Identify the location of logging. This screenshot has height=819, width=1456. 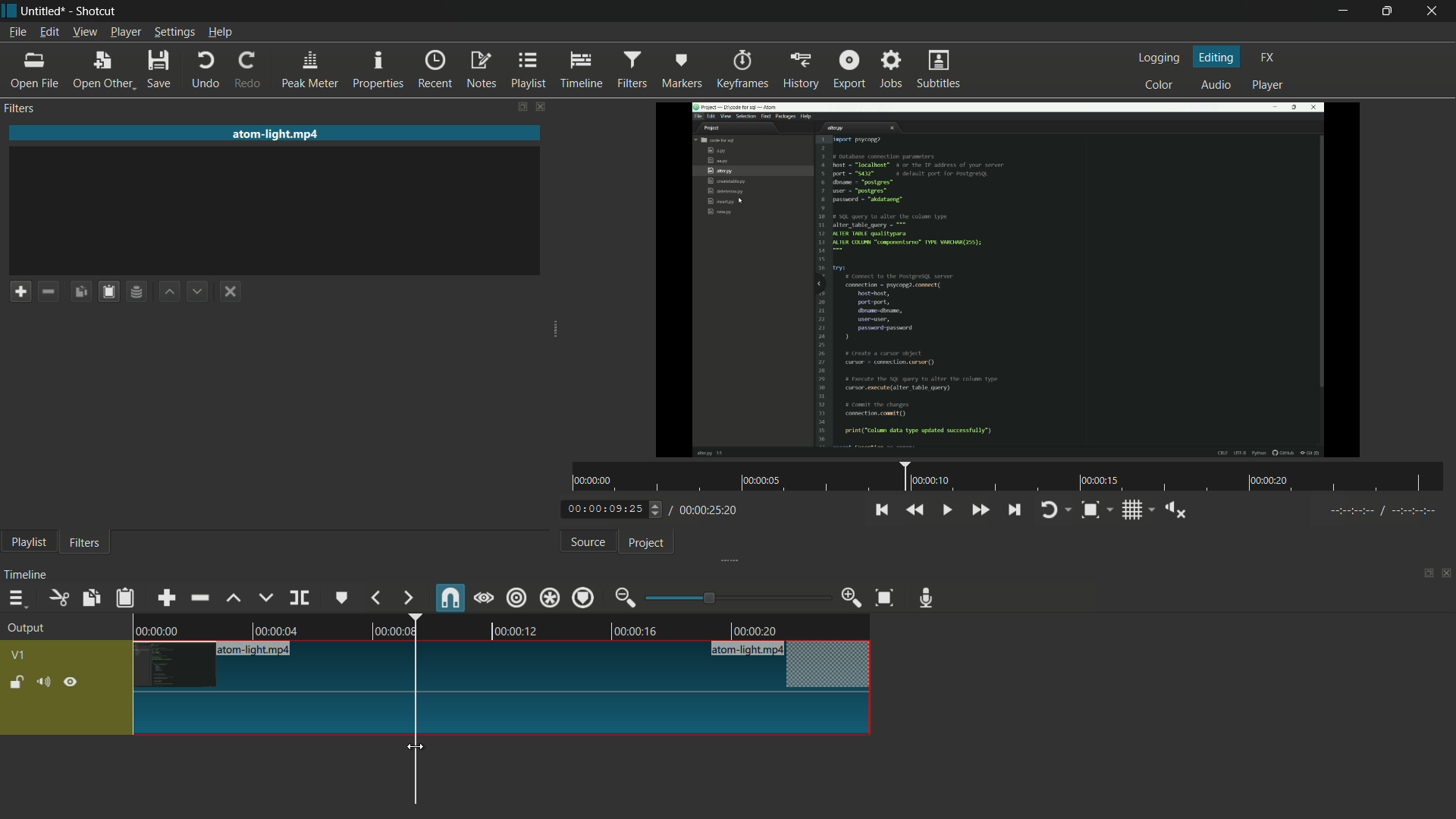
(1162, 58).